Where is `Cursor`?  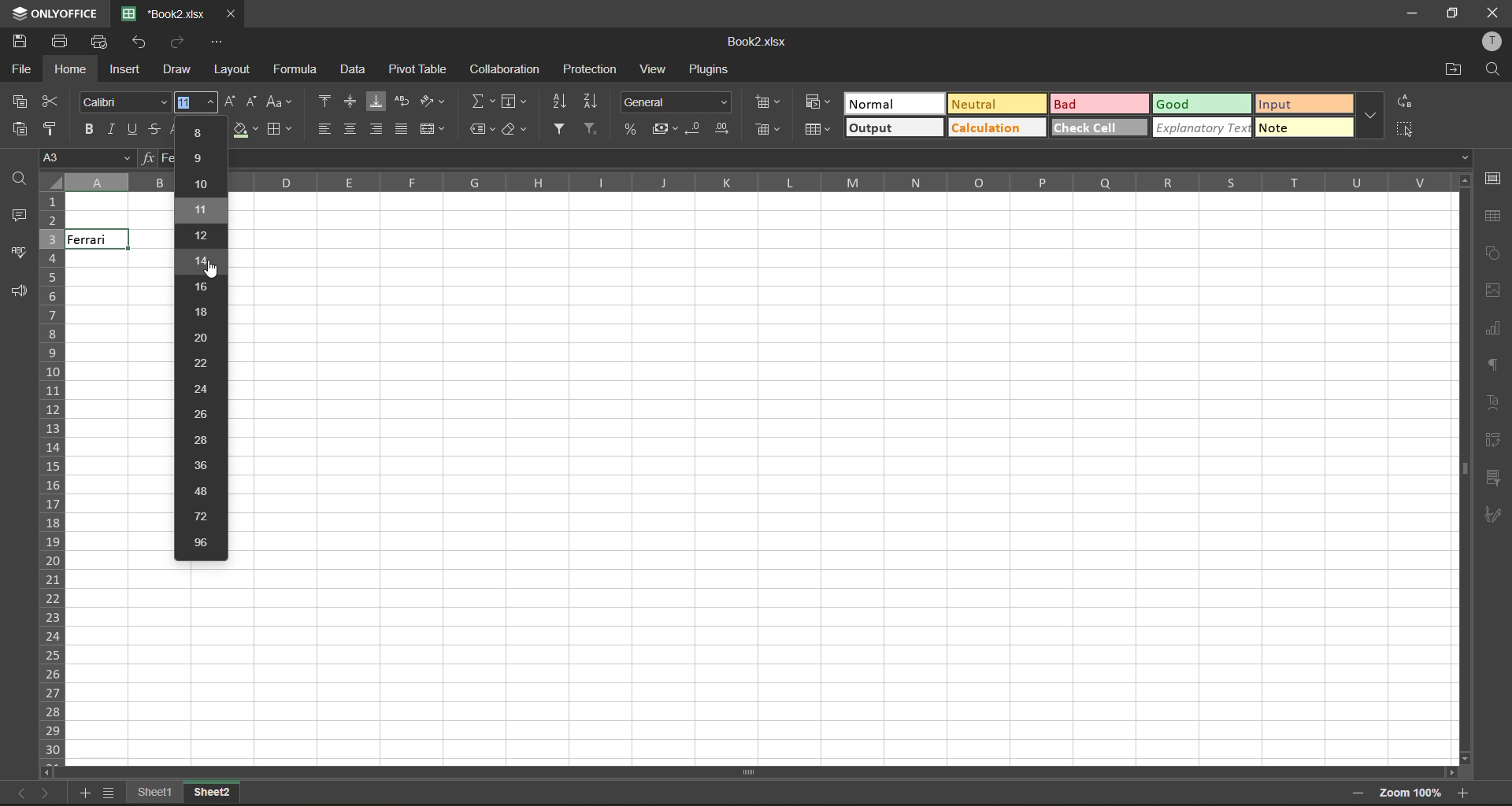 Cursor is located at coordinates (211, 270).